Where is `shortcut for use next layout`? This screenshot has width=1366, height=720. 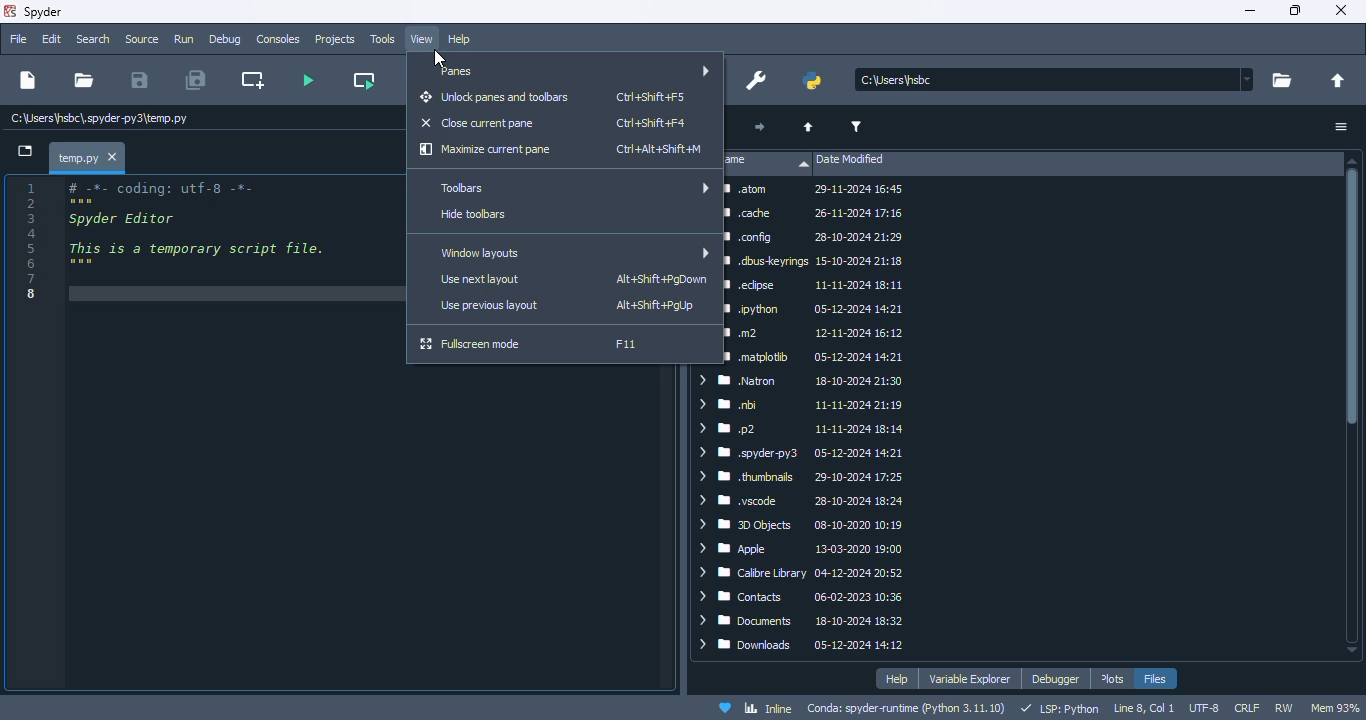 shortcut for use next layout is located at coordinates (661, 279).